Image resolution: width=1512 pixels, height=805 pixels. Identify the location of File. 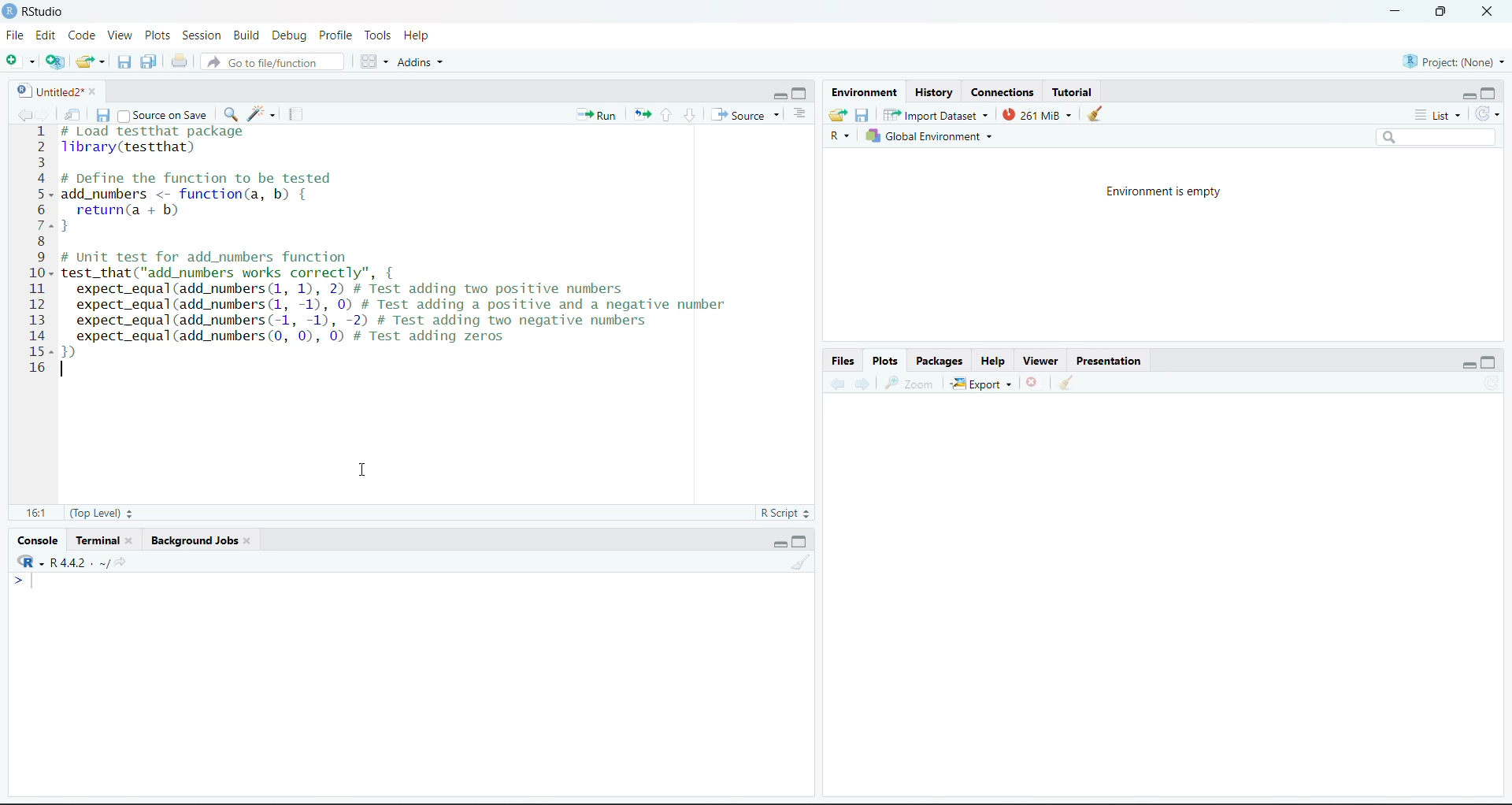
(14, 35).